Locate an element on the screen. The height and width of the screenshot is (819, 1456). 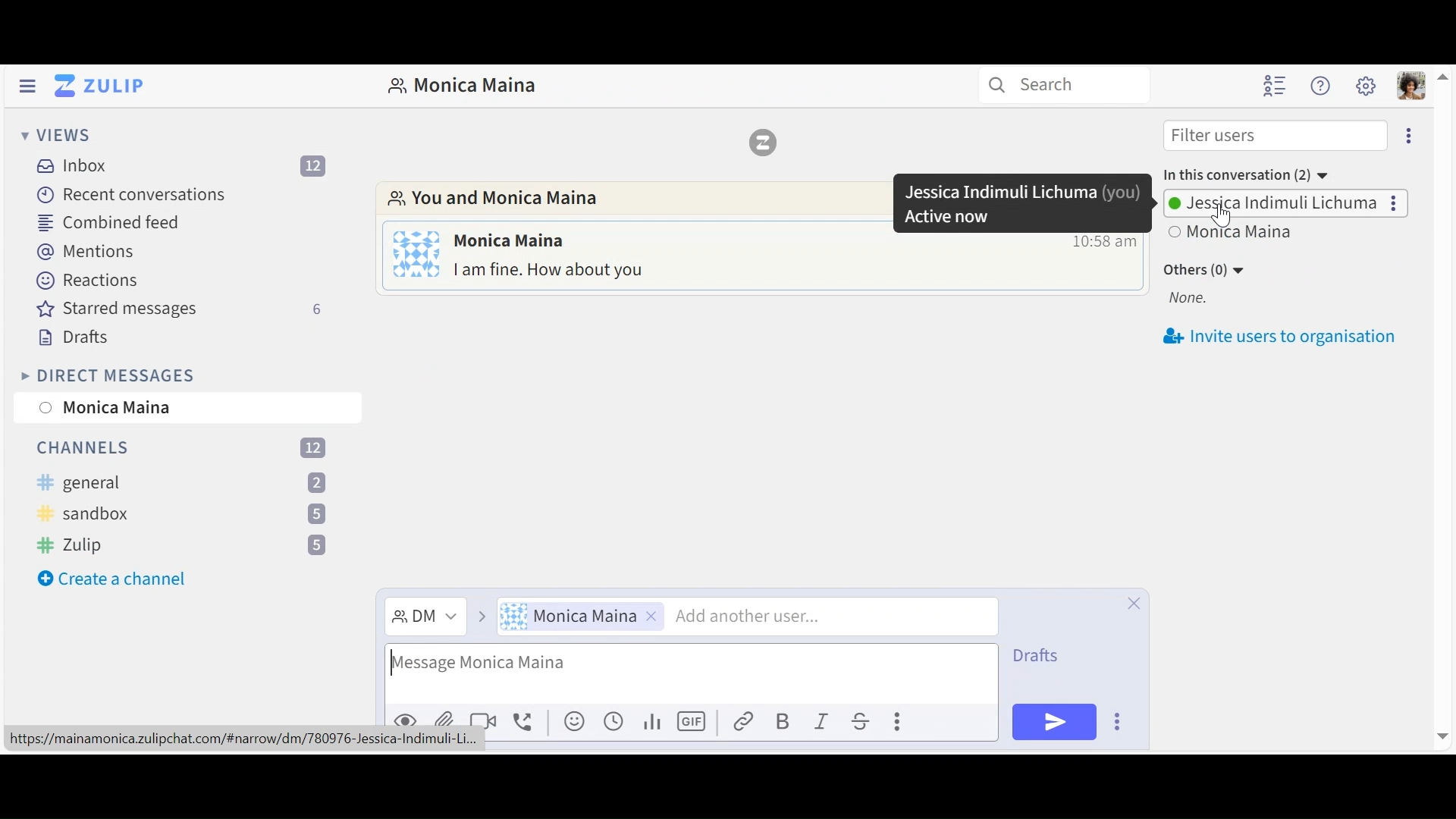
View is located at coordinates (53, 134).